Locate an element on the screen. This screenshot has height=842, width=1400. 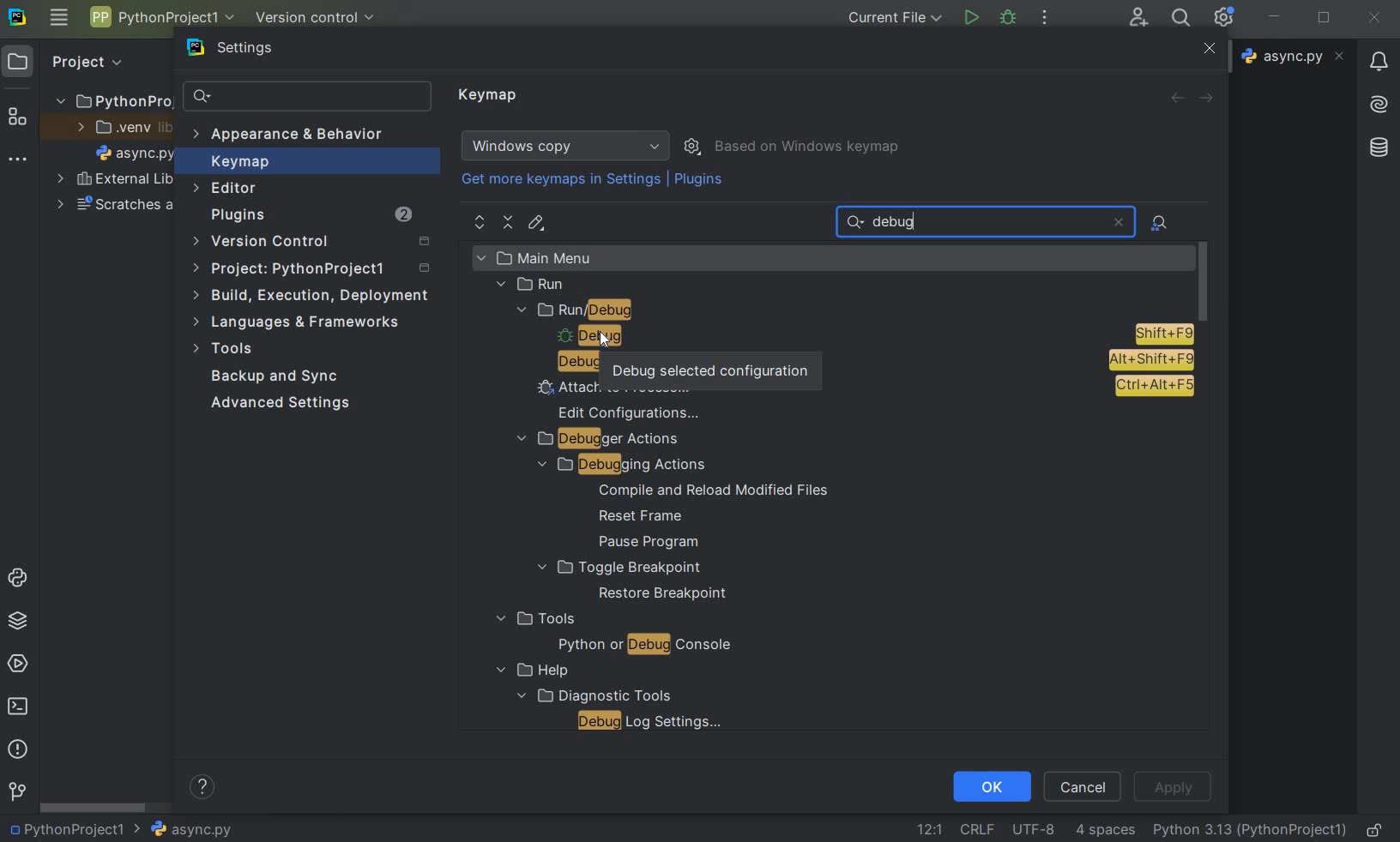
main menu is located at coordinates (571, 257).